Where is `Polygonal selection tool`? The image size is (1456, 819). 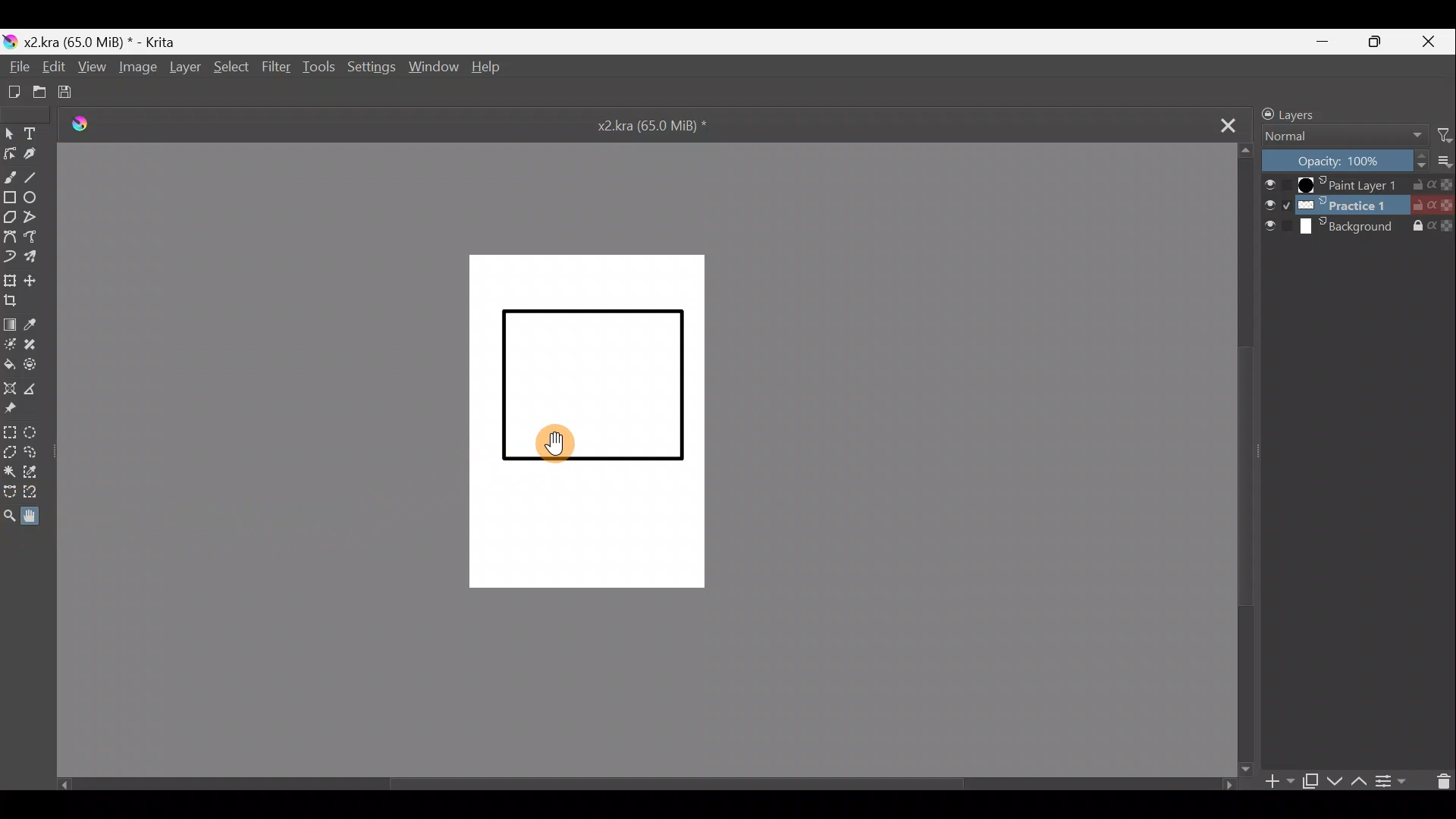
Polygonal selection tool is located at coordinates (11, 454).